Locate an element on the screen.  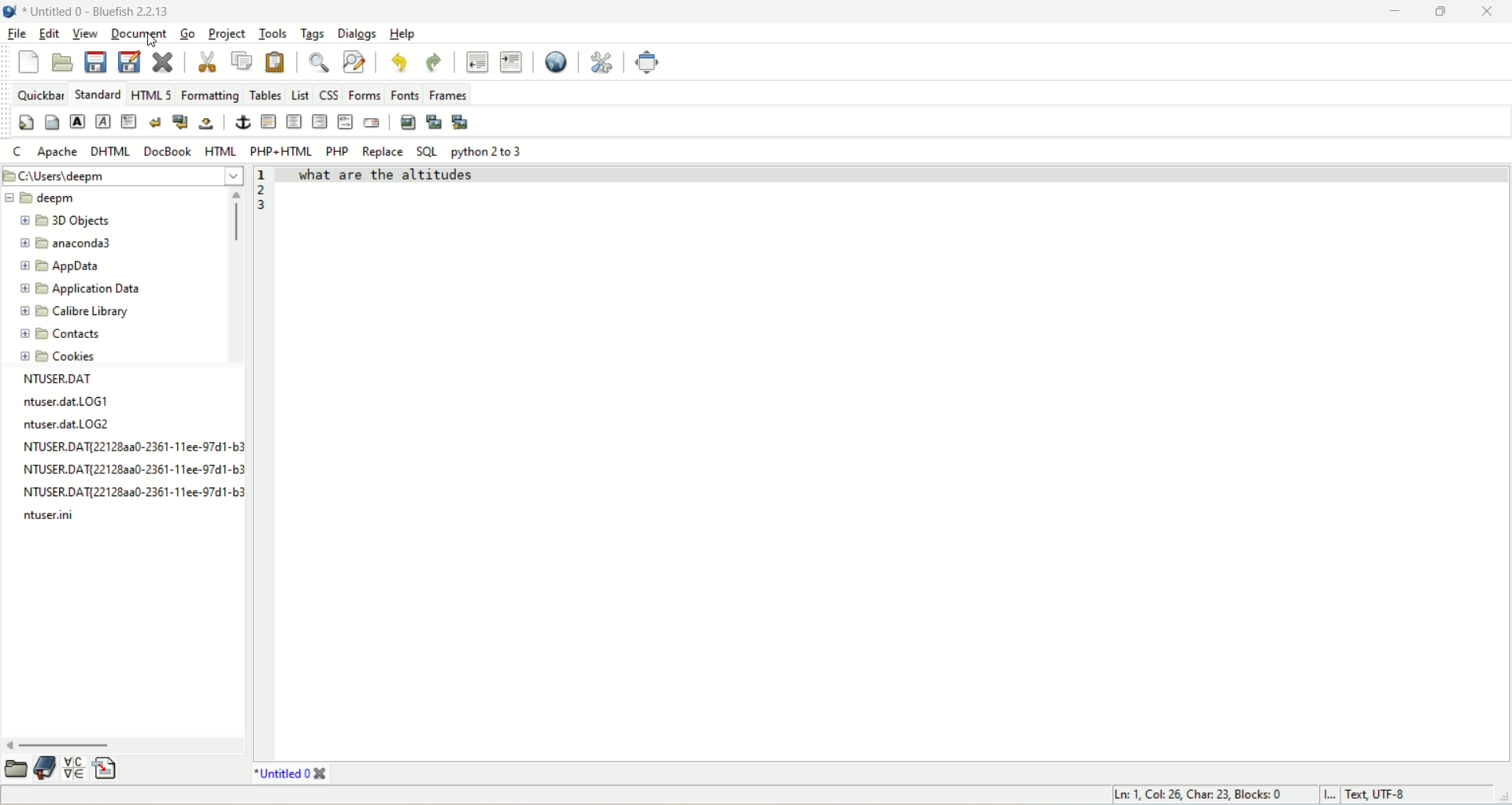
email is located at coordinates (372, 125).